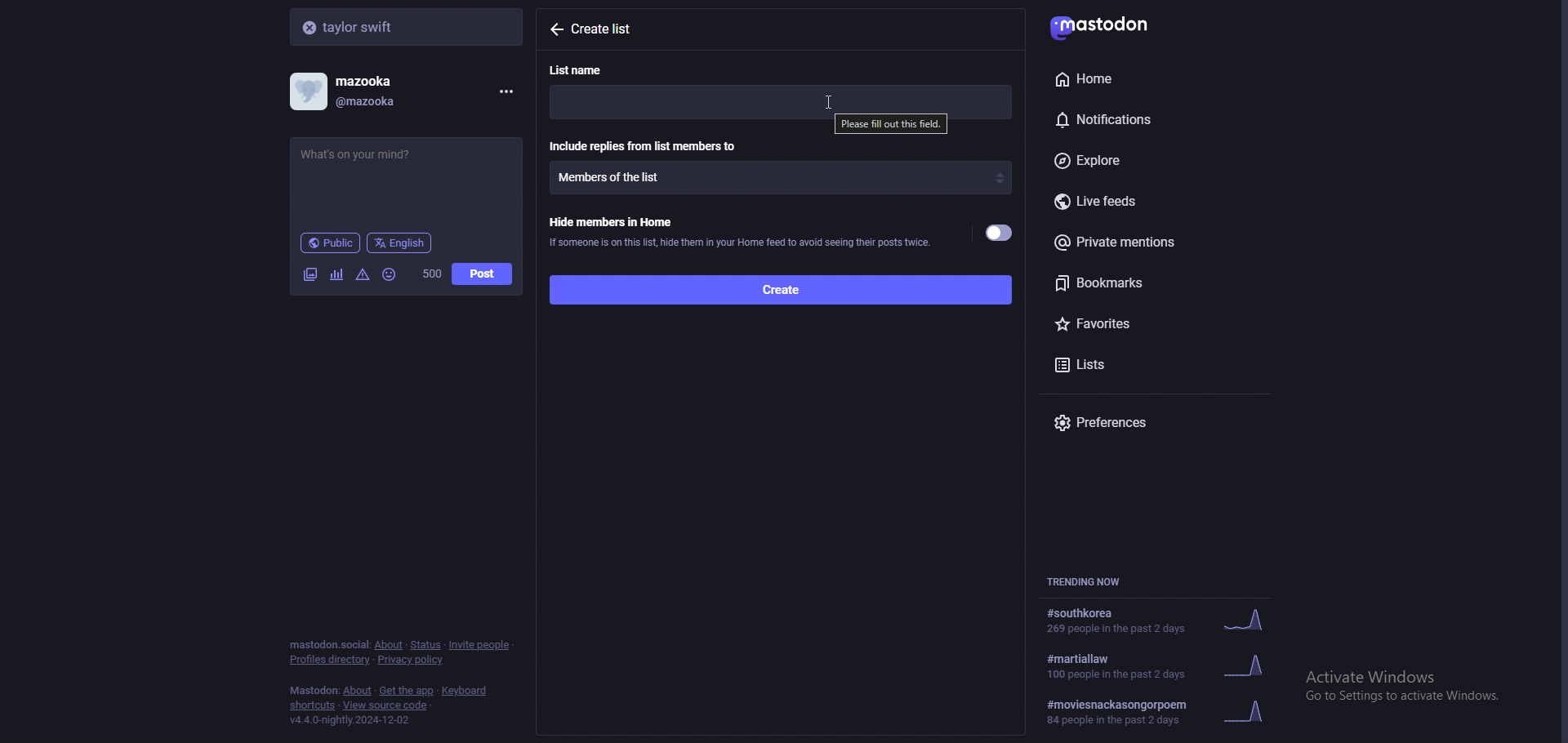  I want to click on toggle, so click(1000, 234).